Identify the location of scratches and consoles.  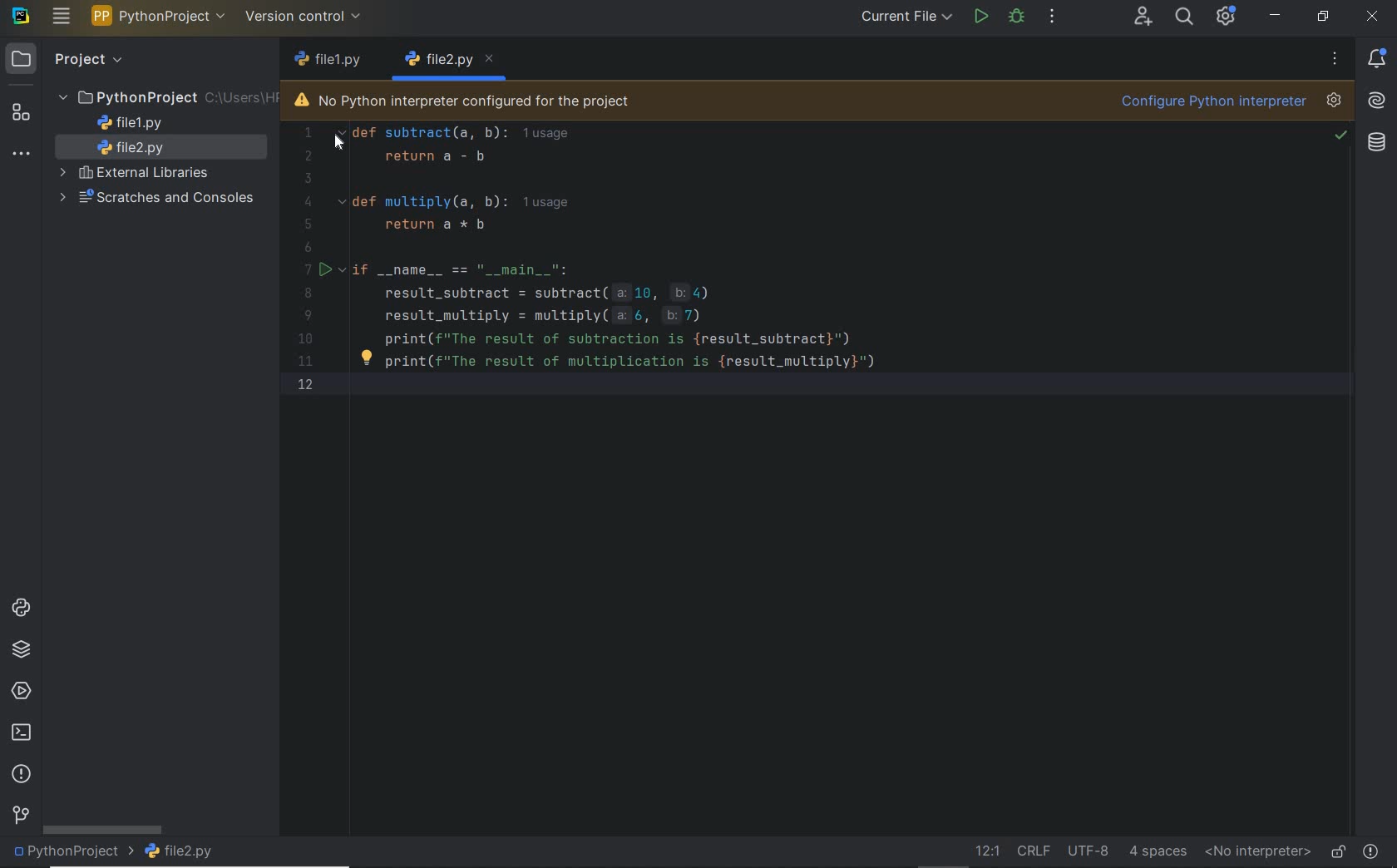
(160, 199).